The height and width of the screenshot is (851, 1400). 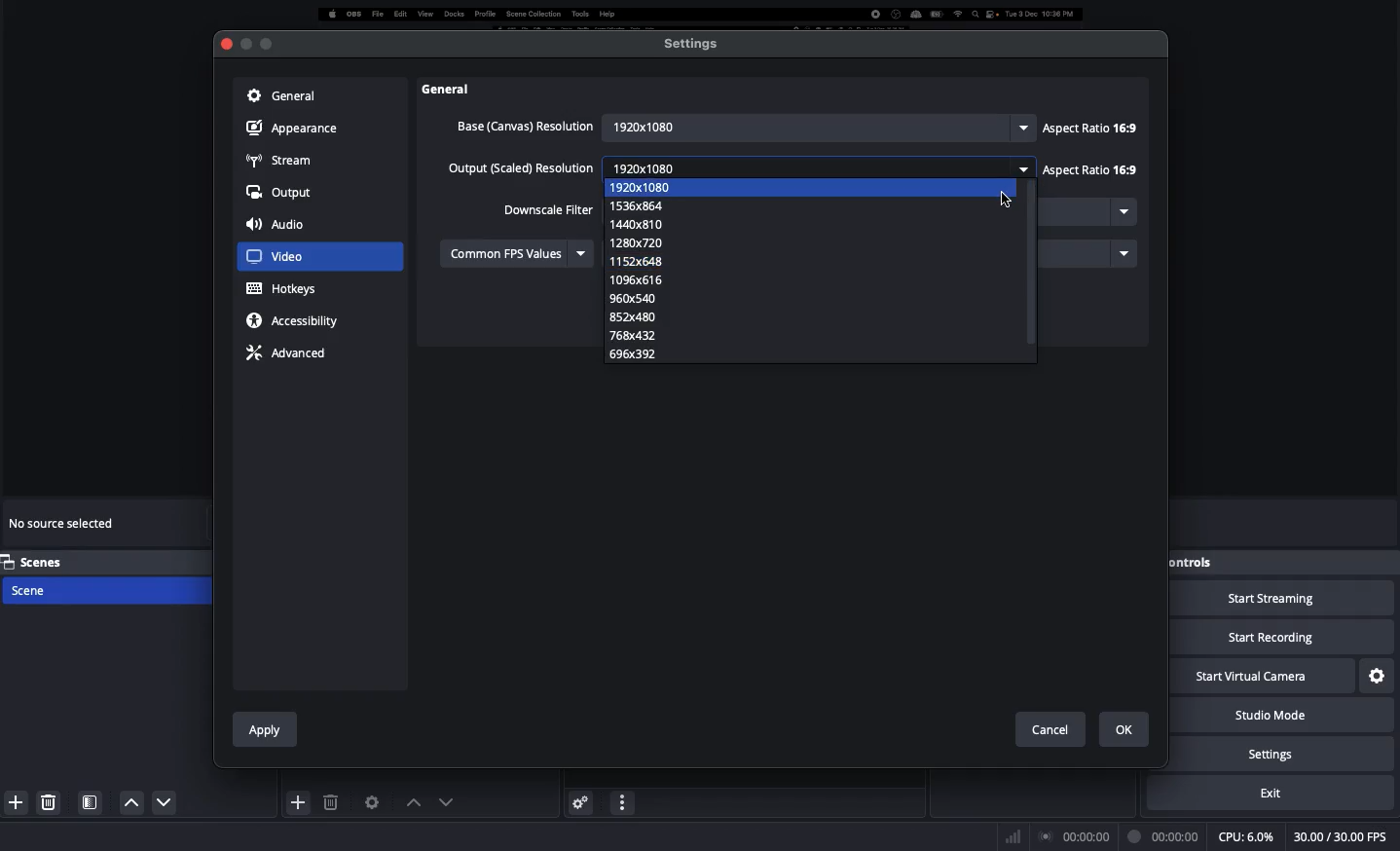 What do you see at coordinates (1007, 835) in the screenshot?
I see `Network` at bounding box center [1007, 835].